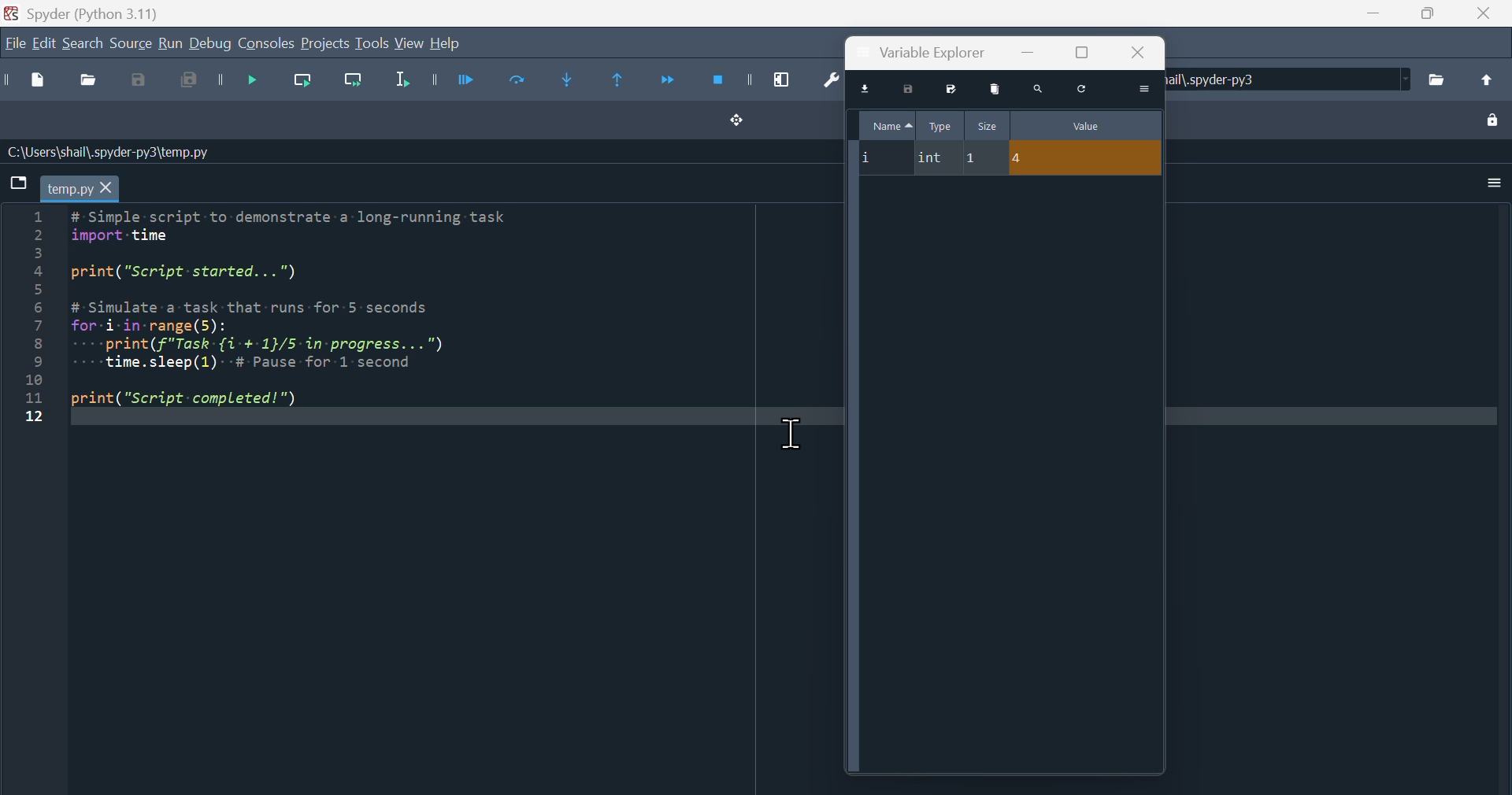  Describe the element at coordinates (352, 85) in the screenshot. I see `Run current line and go to the next one` at that location.